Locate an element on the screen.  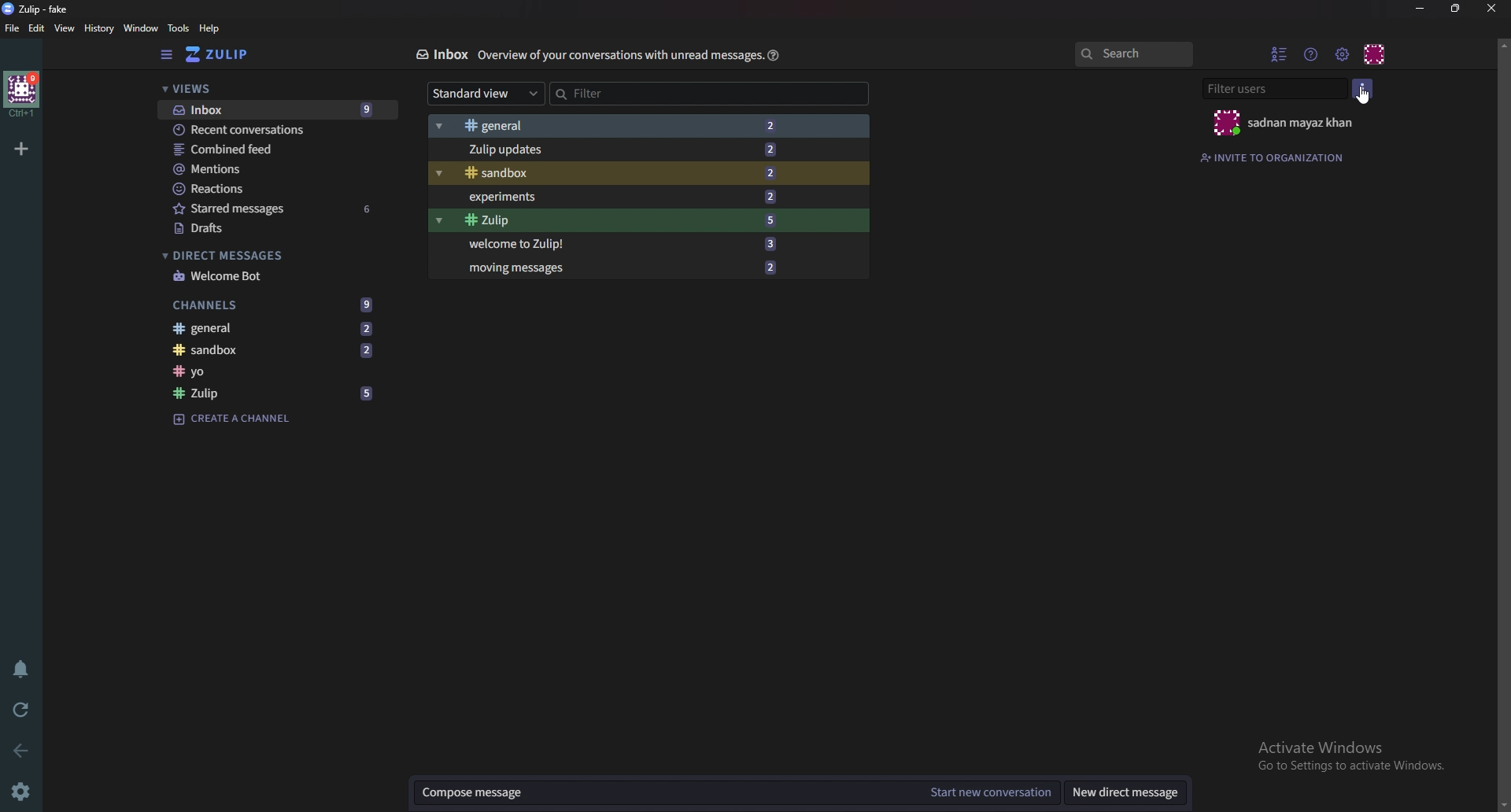
Zulip is located at coordinates (228, 55).